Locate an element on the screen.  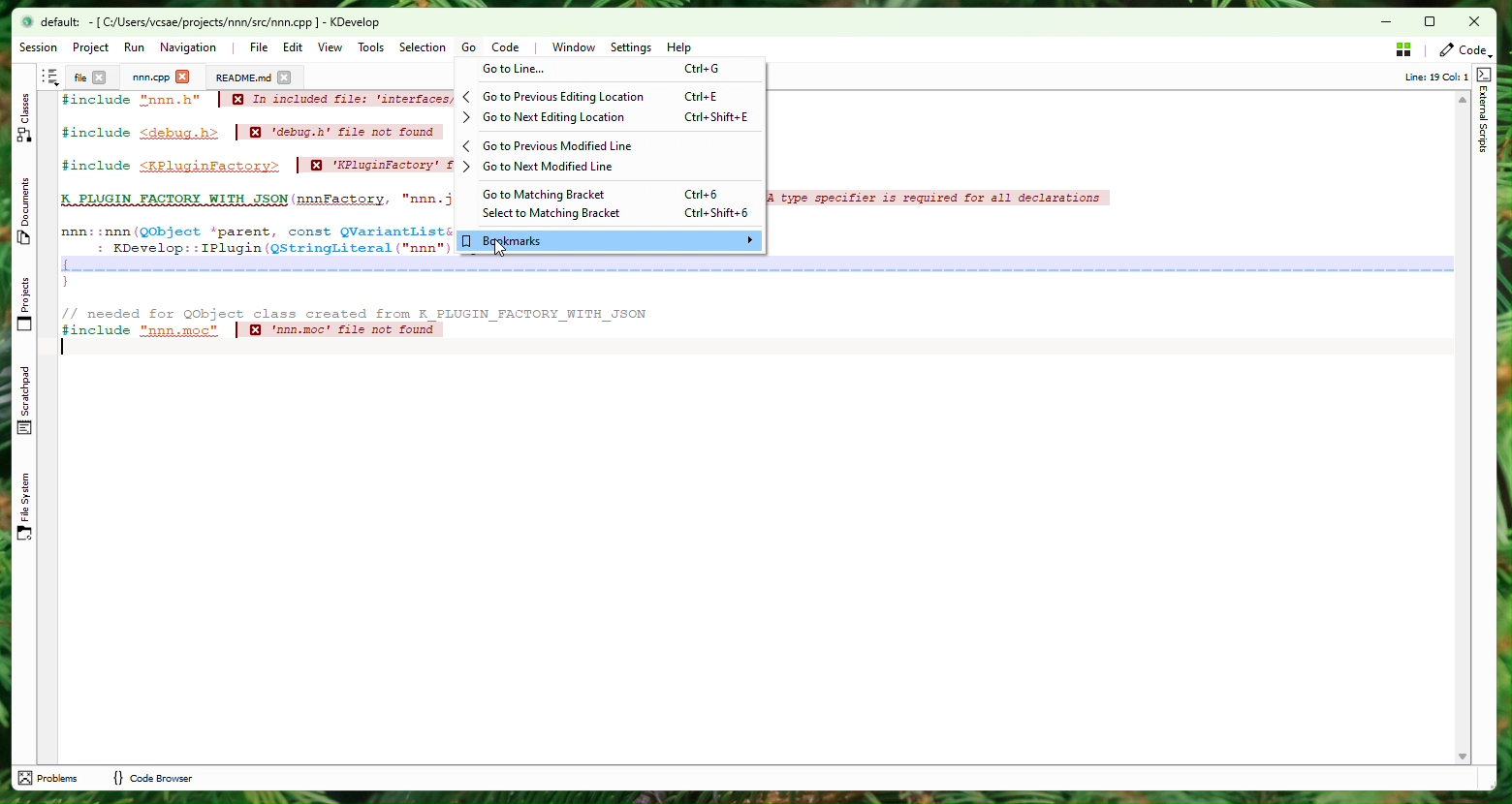
External Scripts is located at coordinates (1484, 113).